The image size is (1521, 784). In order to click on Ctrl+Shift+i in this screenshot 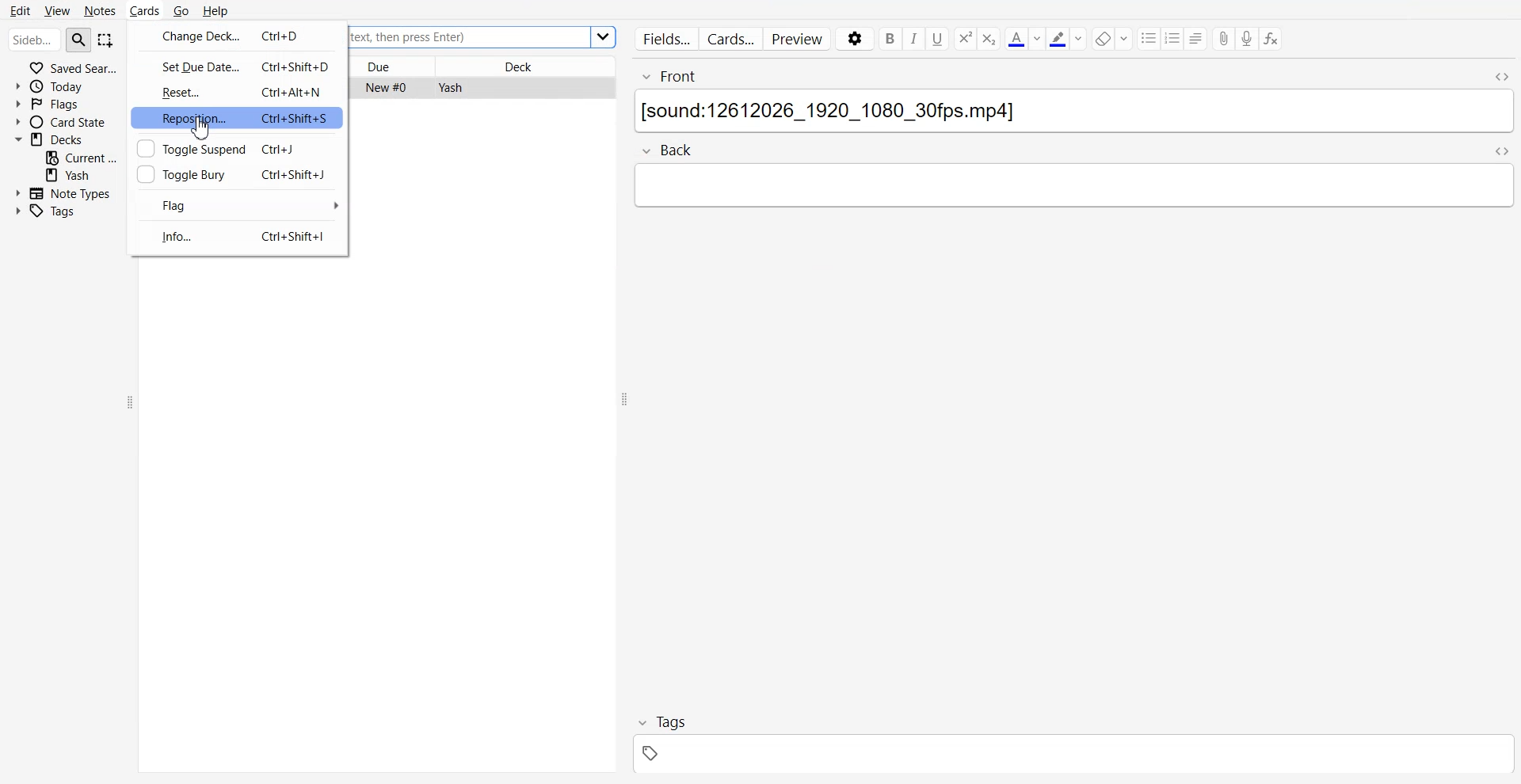, I will do `click(295, 239)`.